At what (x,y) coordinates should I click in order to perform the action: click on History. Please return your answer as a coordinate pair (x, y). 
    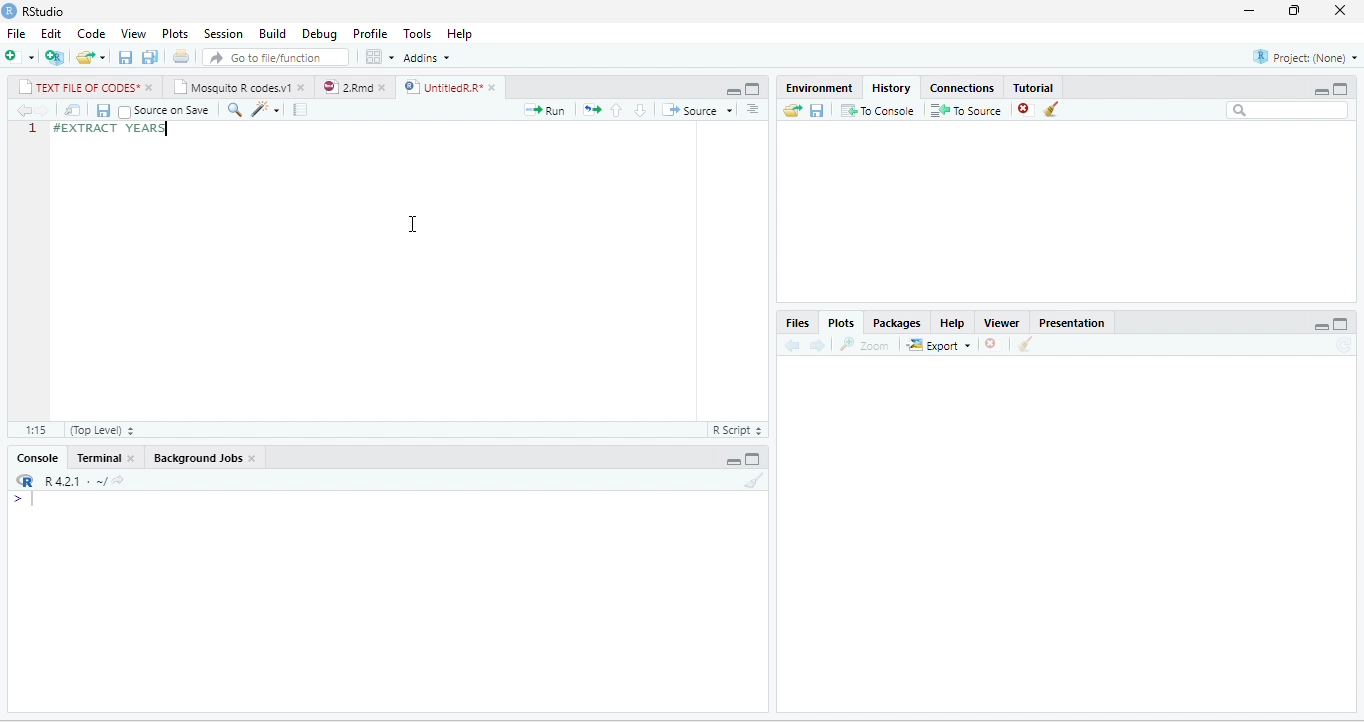
    Looking at the image, I should click on (891, 89).